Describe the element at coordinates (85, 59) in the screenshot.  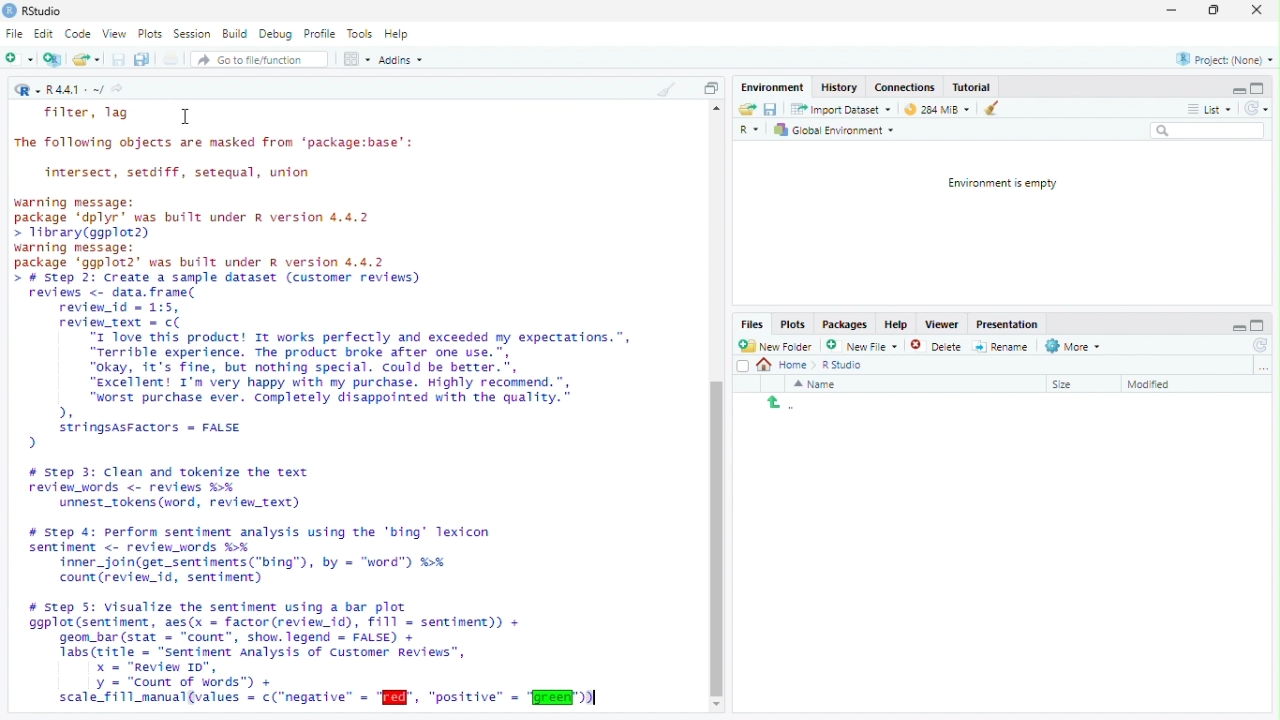
I see `Open` at that location.